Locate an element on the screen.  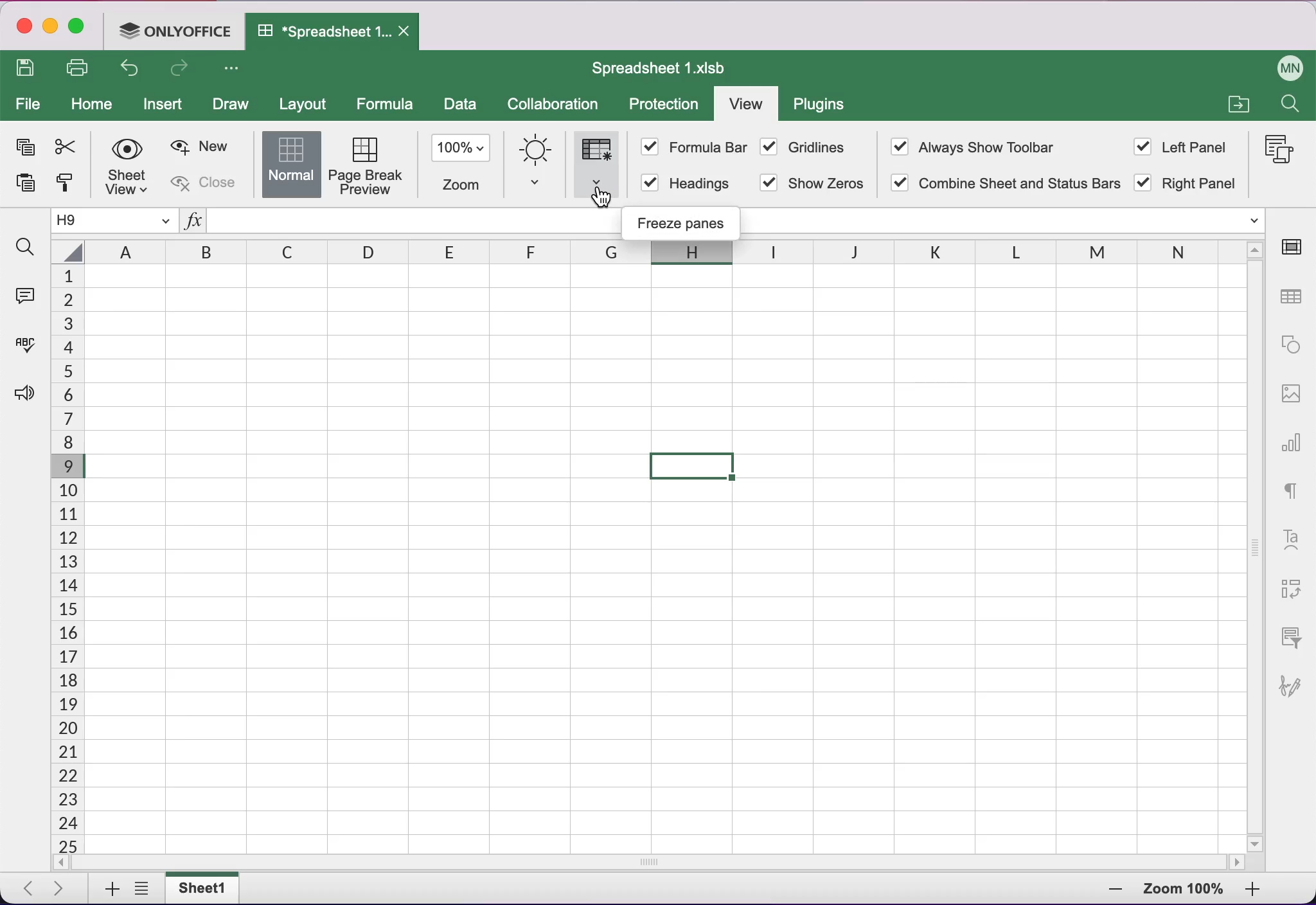
redo is located at coordinates (185, 70).